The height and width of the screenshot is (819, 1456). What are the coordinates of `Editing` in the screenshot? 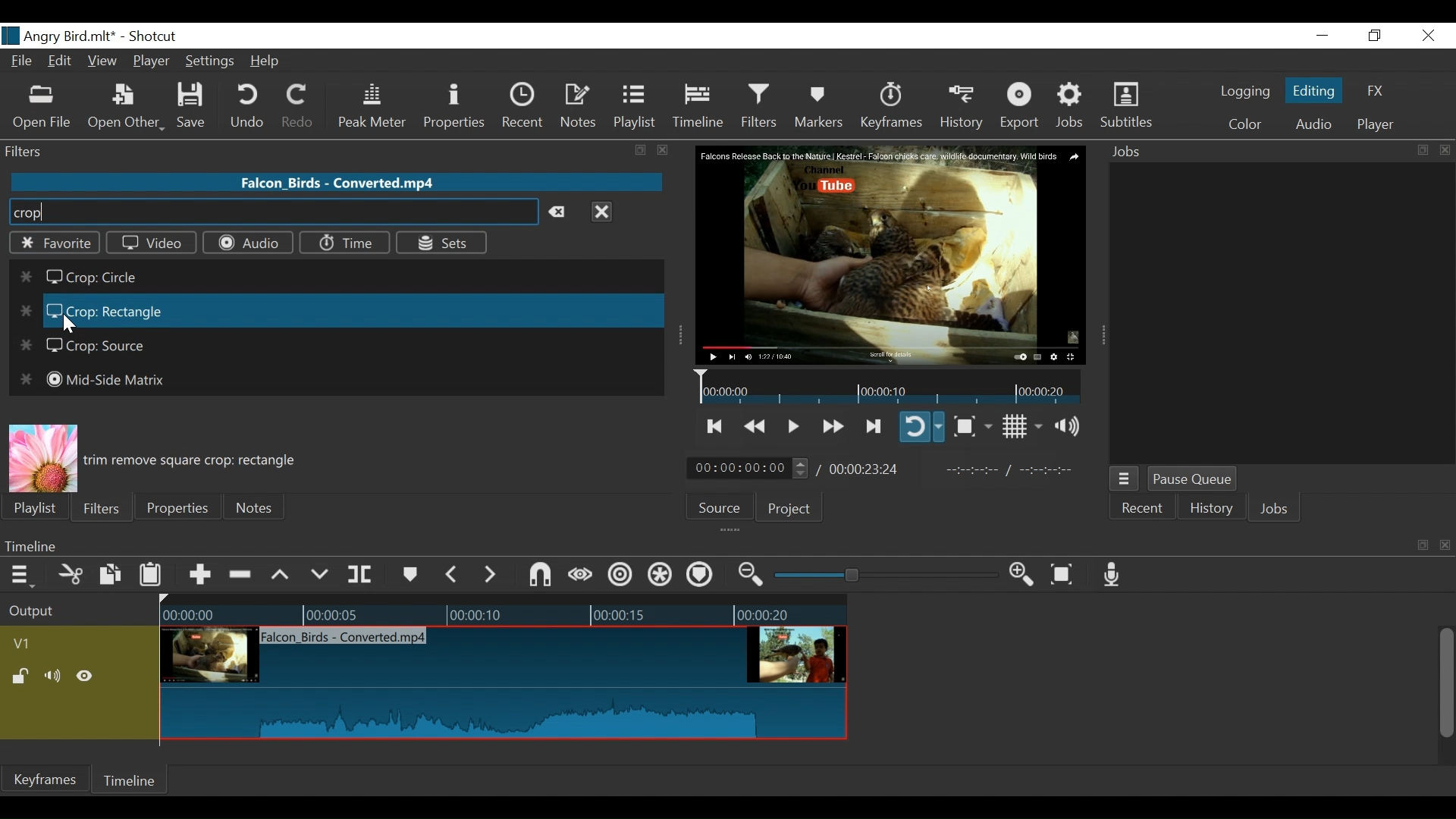 It's located at (1316, 89).